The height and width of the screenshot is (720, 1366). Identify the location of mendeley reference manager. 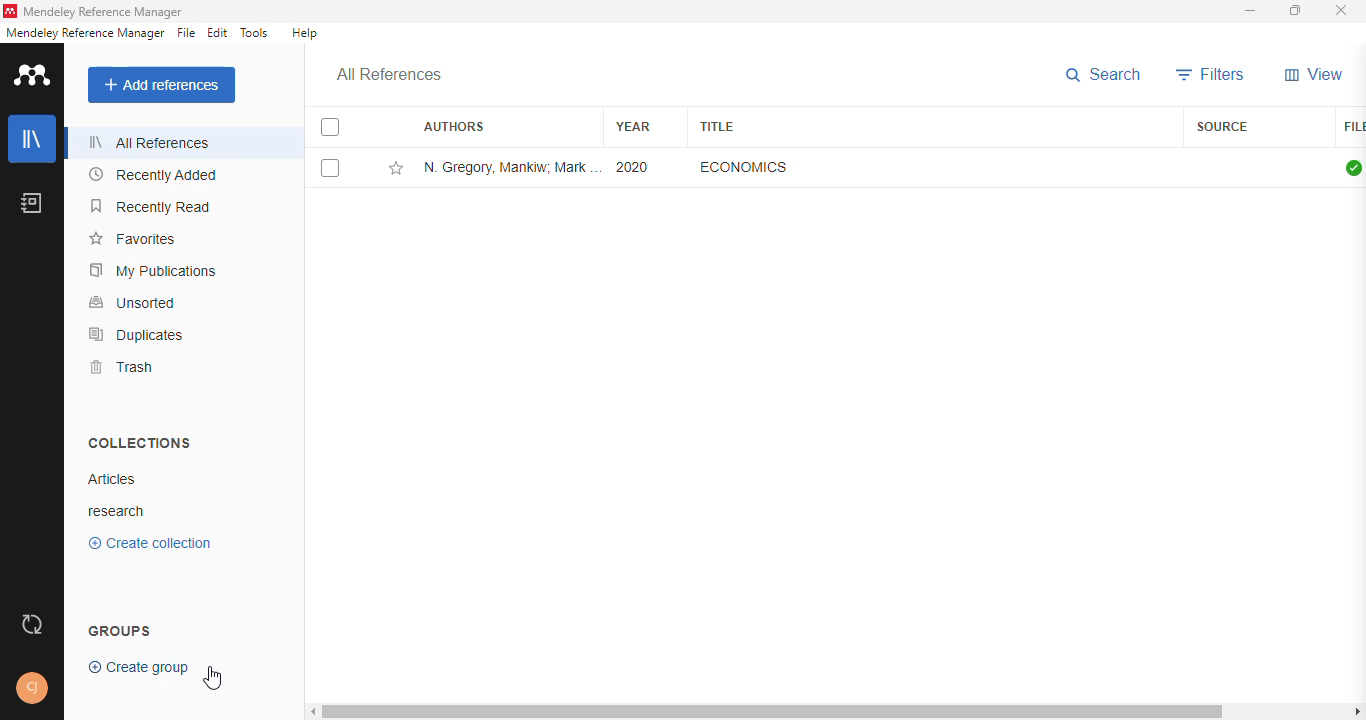
(103, 12).